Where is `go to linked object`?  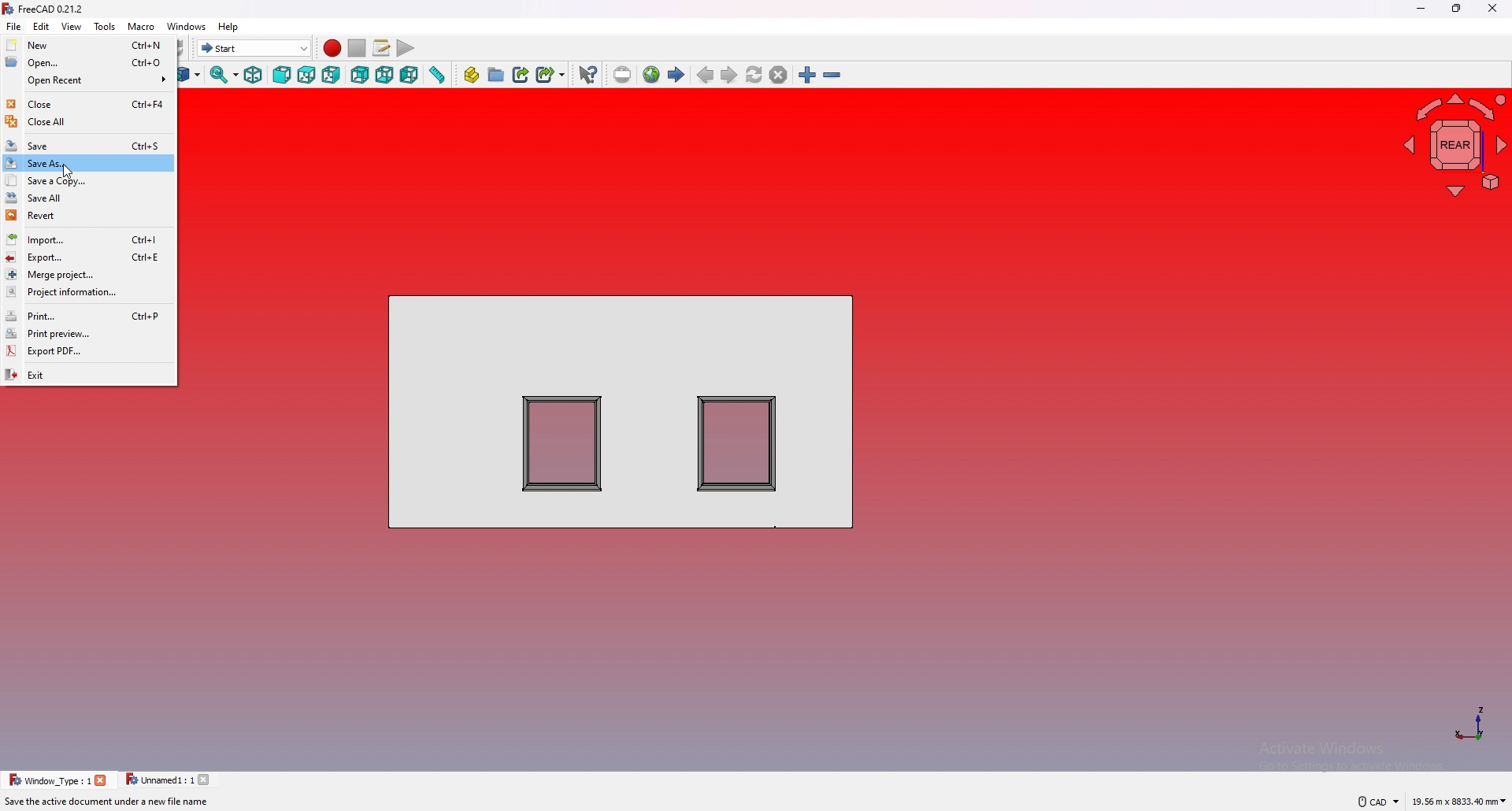 go to linked object is located at coordinates (191, 76).